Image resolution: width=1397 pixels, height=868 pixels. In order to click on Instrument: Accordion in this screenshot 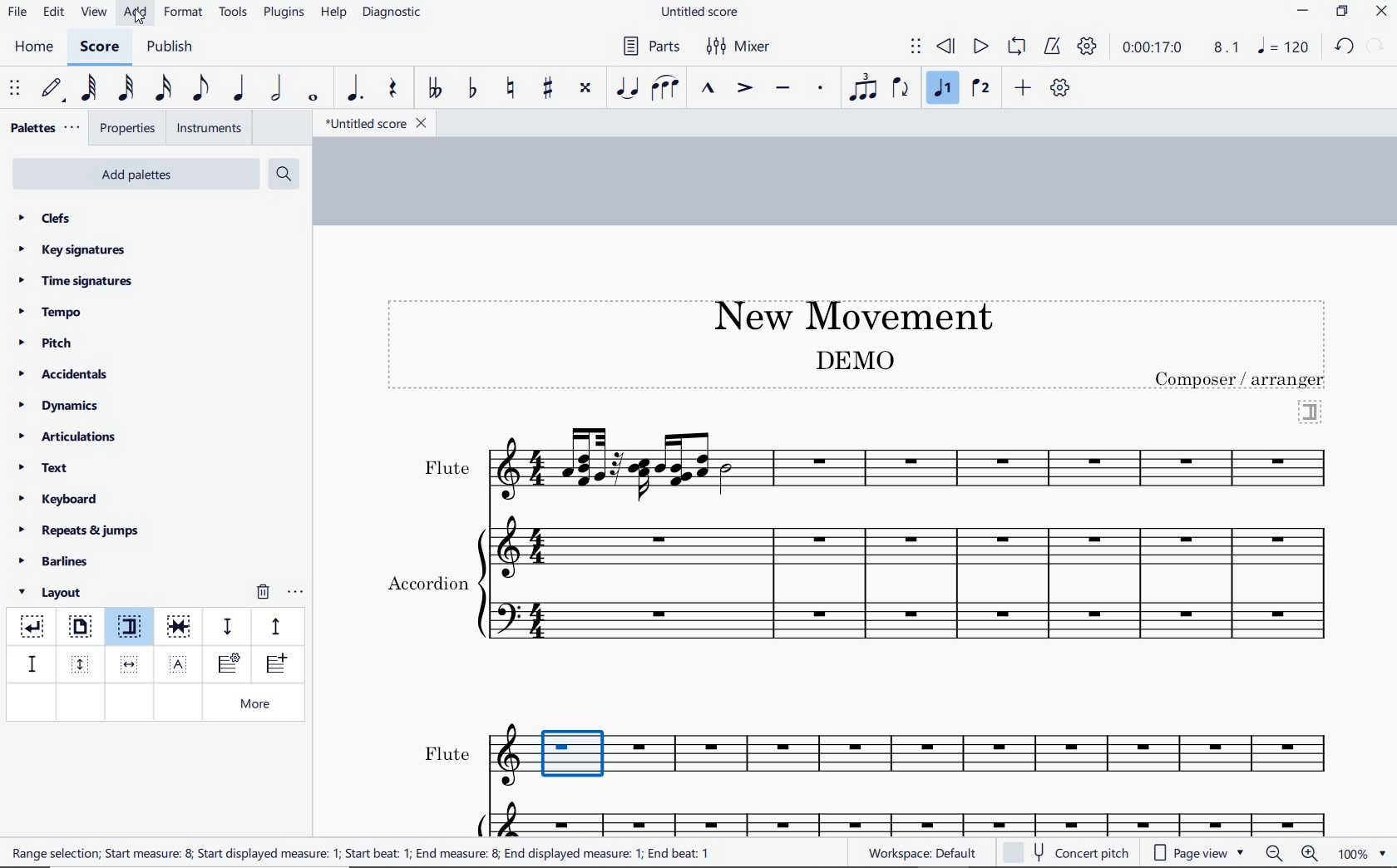, I will do `click(912, 584)`.